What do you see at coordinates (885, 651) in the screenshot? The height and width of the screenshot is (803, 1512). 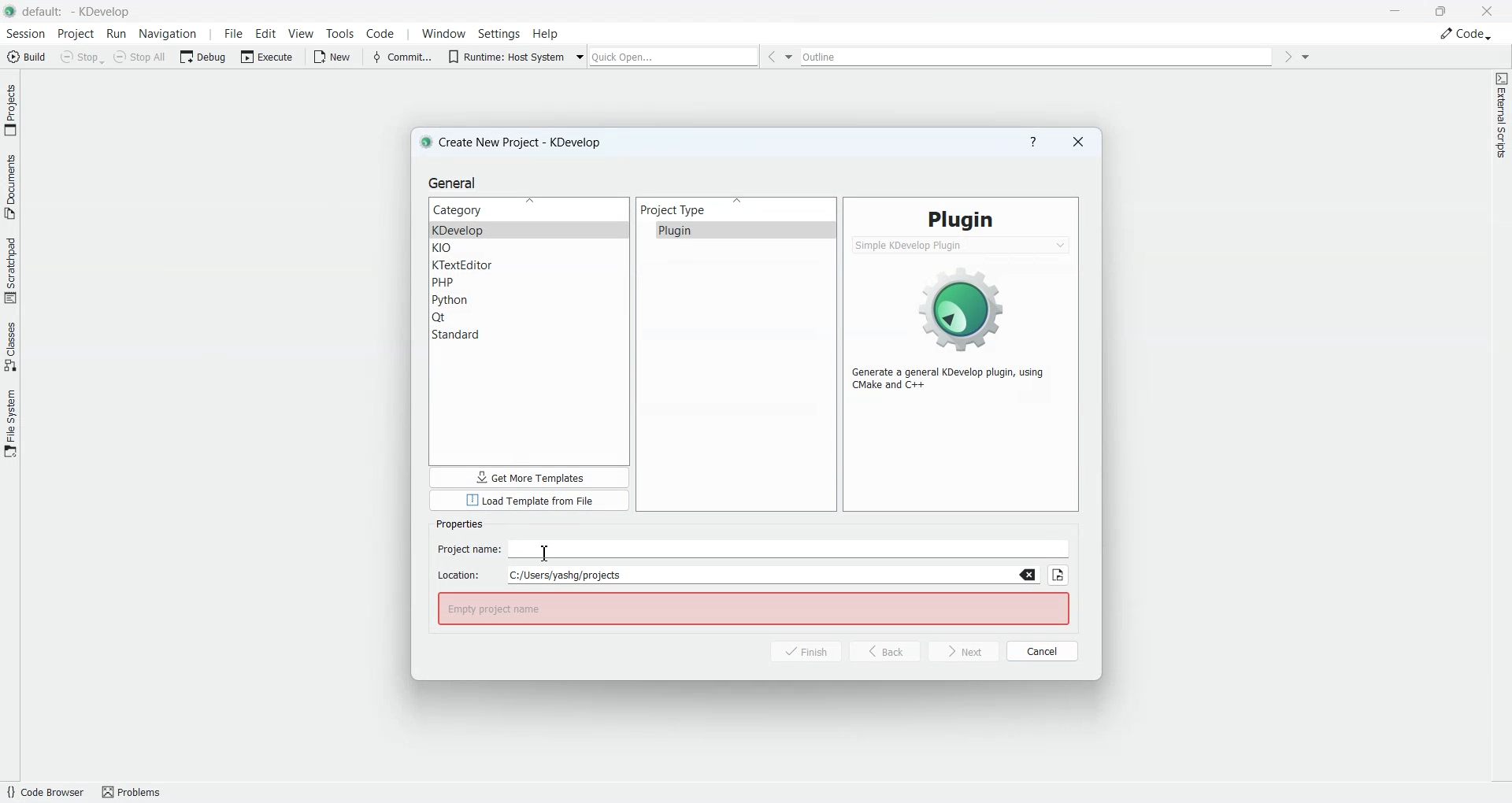 I see `back` at bounding box center [885, 651].